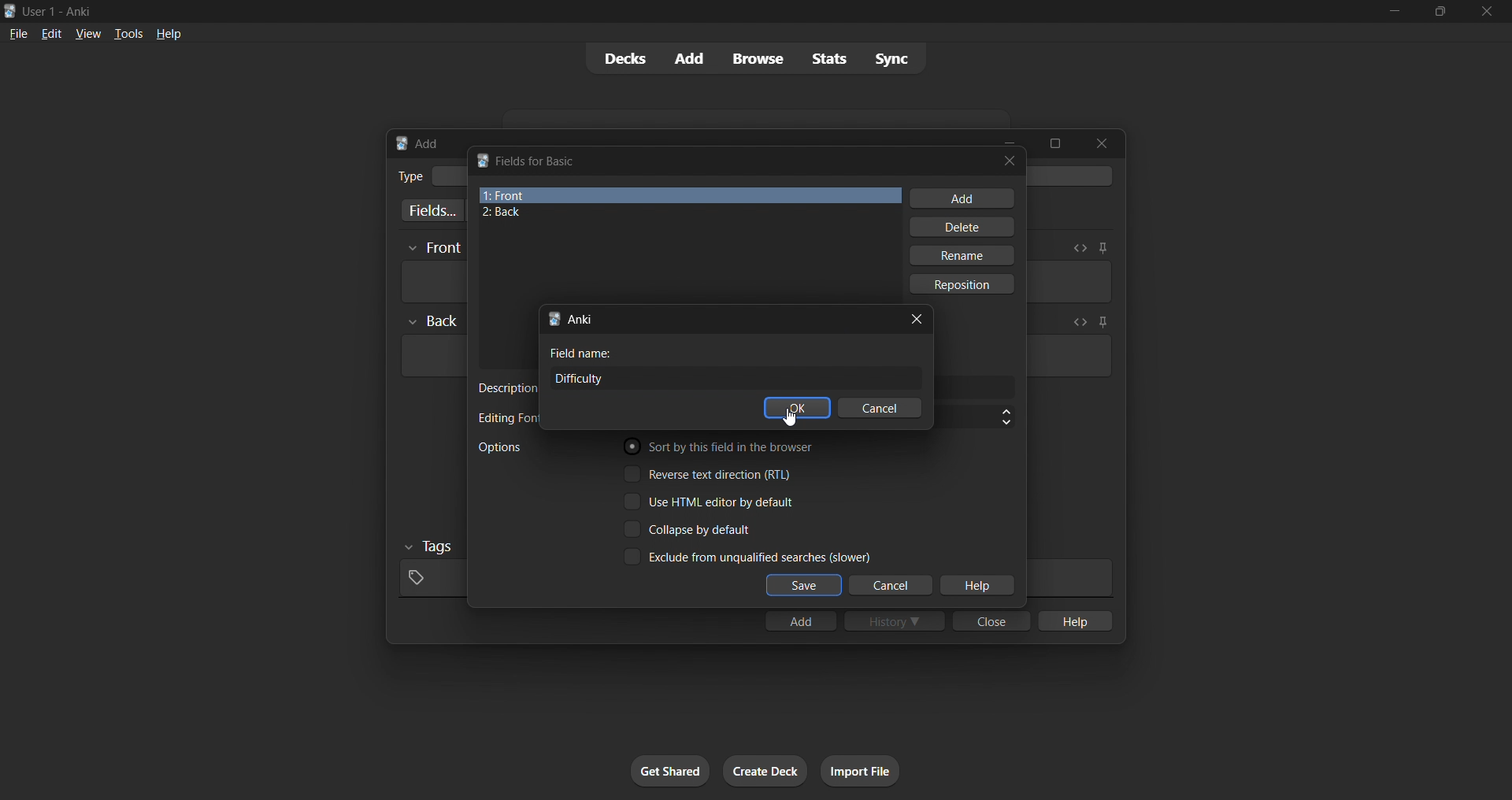 This screenshot has height=800, width=1512. Describe the element at coordinates (429, 210) in the screenshot. I see `customize fields` at that location.